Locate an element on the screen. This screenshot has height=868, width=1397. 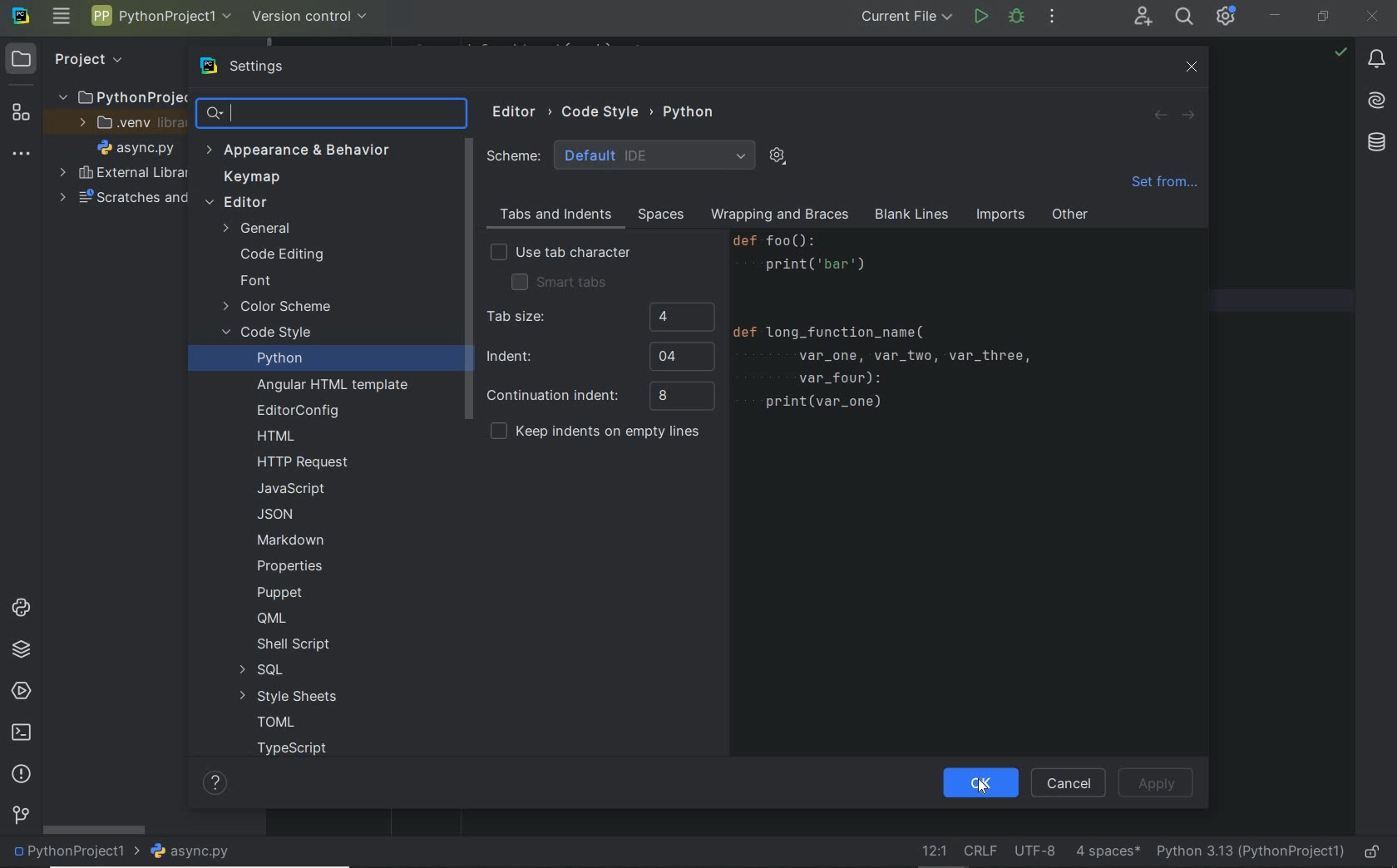
file encoding is located at coordinates (1035, 850).